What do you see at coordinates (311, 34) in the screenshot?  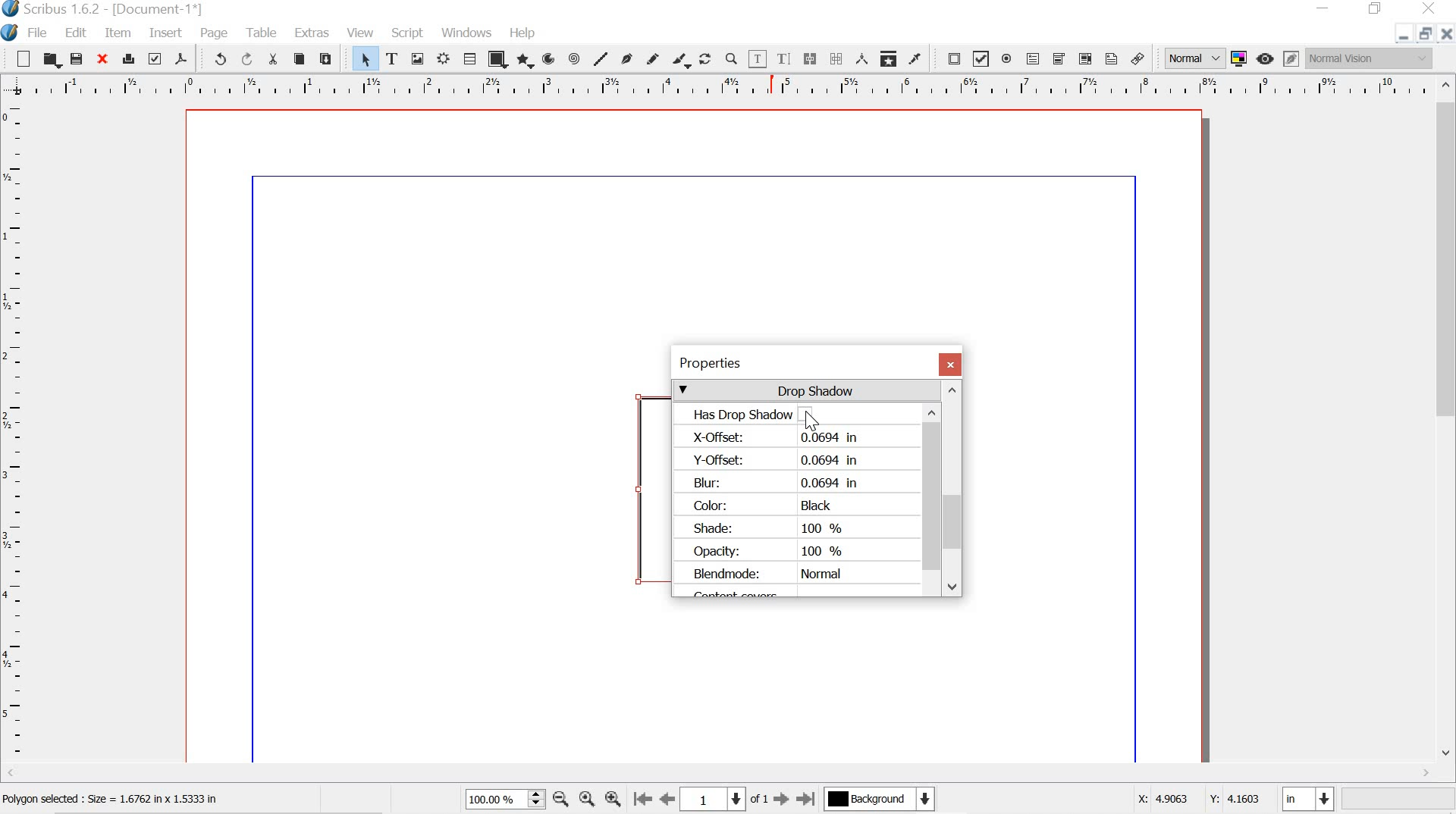 I see `EXTRAS` at bounding box center [311, 34].